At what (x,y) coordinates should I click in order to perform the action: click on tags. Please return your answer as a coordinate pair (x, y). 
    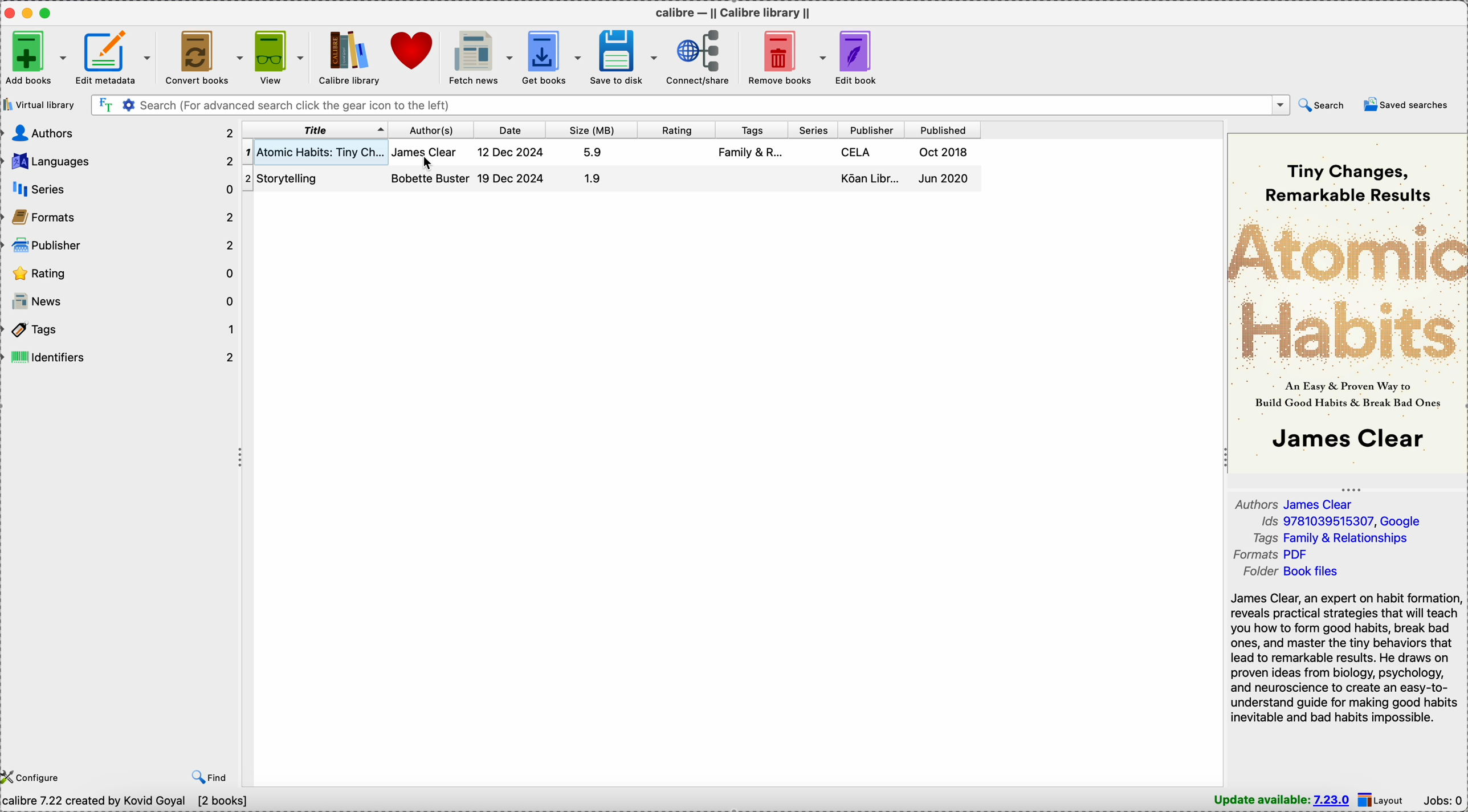
    Looking at the image, I should click on (753, 129).